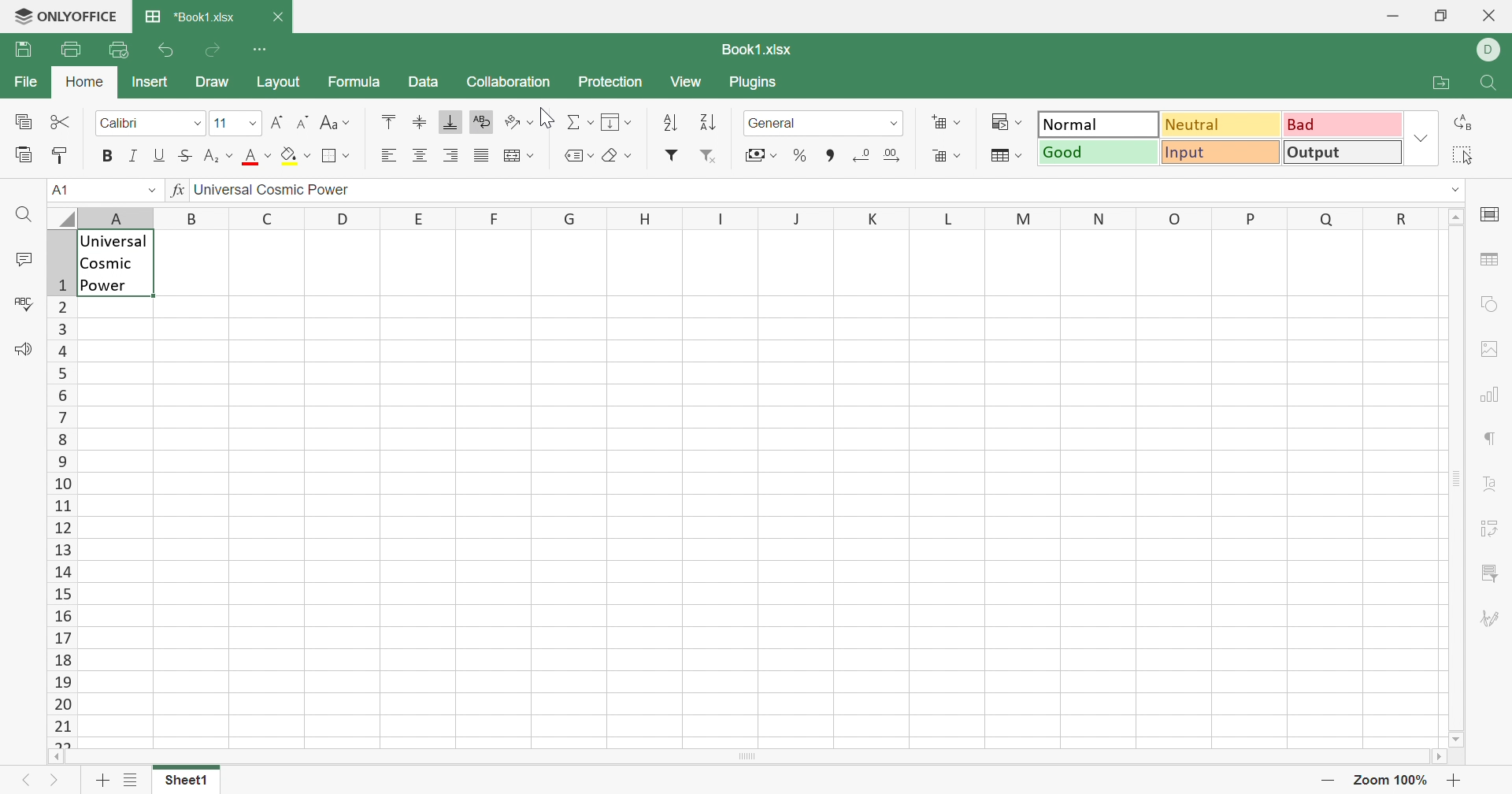  Describe the element at coordinates (1491, 483) in the screenshot. I see `Text Art settings` at that location.